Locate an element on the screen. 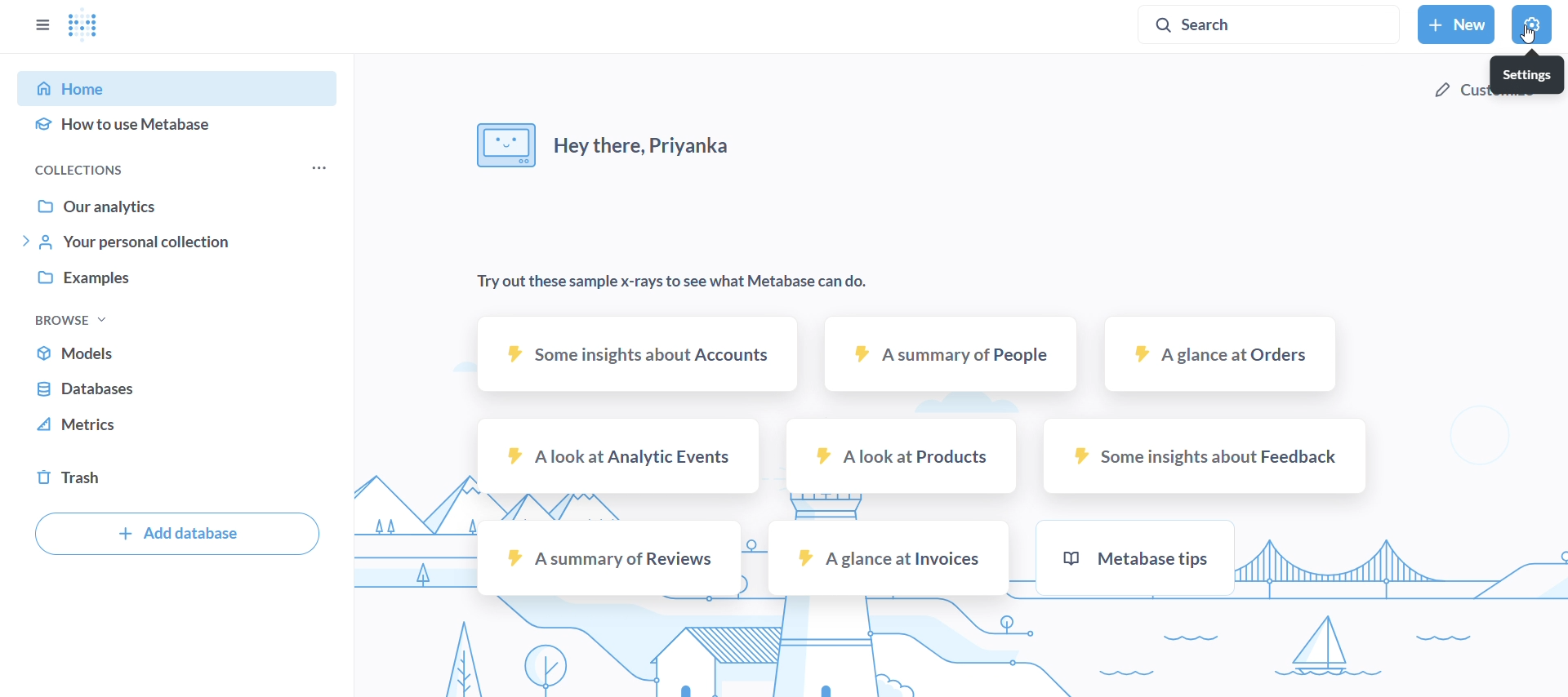 The height and width of the screenshot is (697, 1568). a summary of people is located at coordinates (953, 357).